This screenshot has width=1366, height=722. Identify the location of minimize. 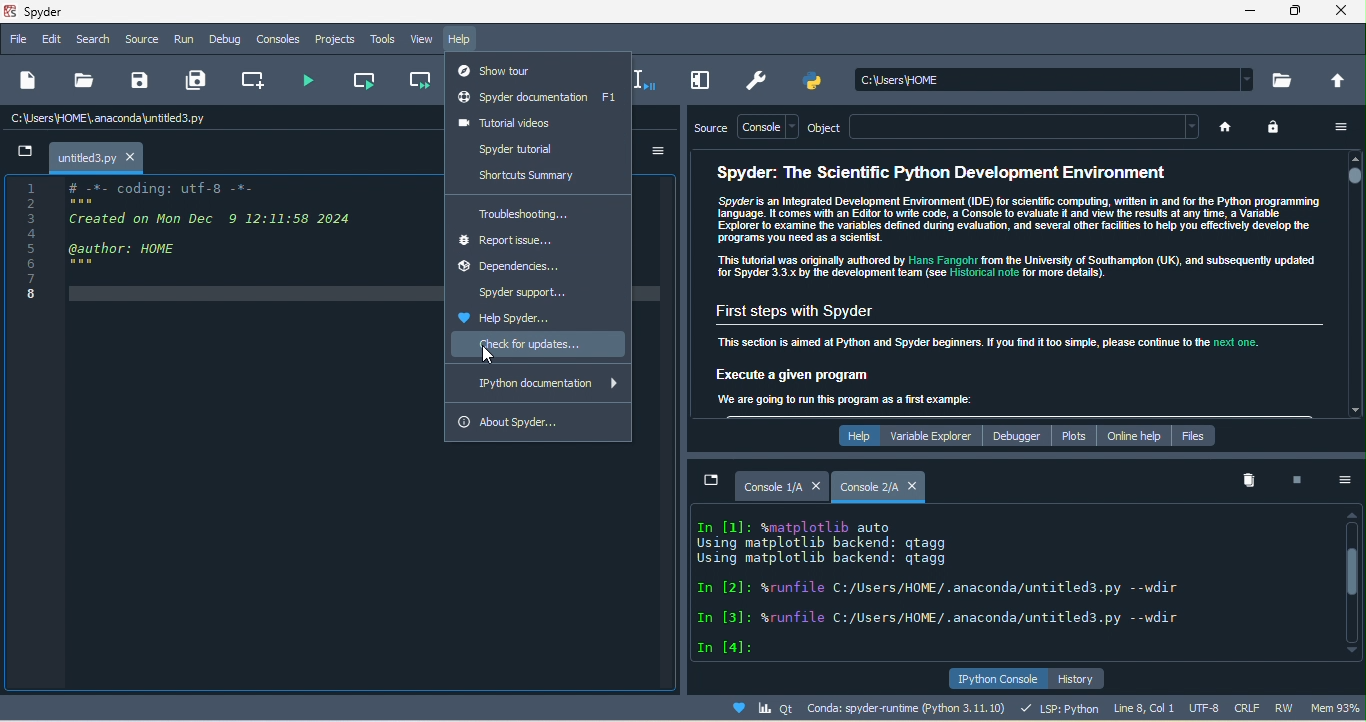
(26, 154).